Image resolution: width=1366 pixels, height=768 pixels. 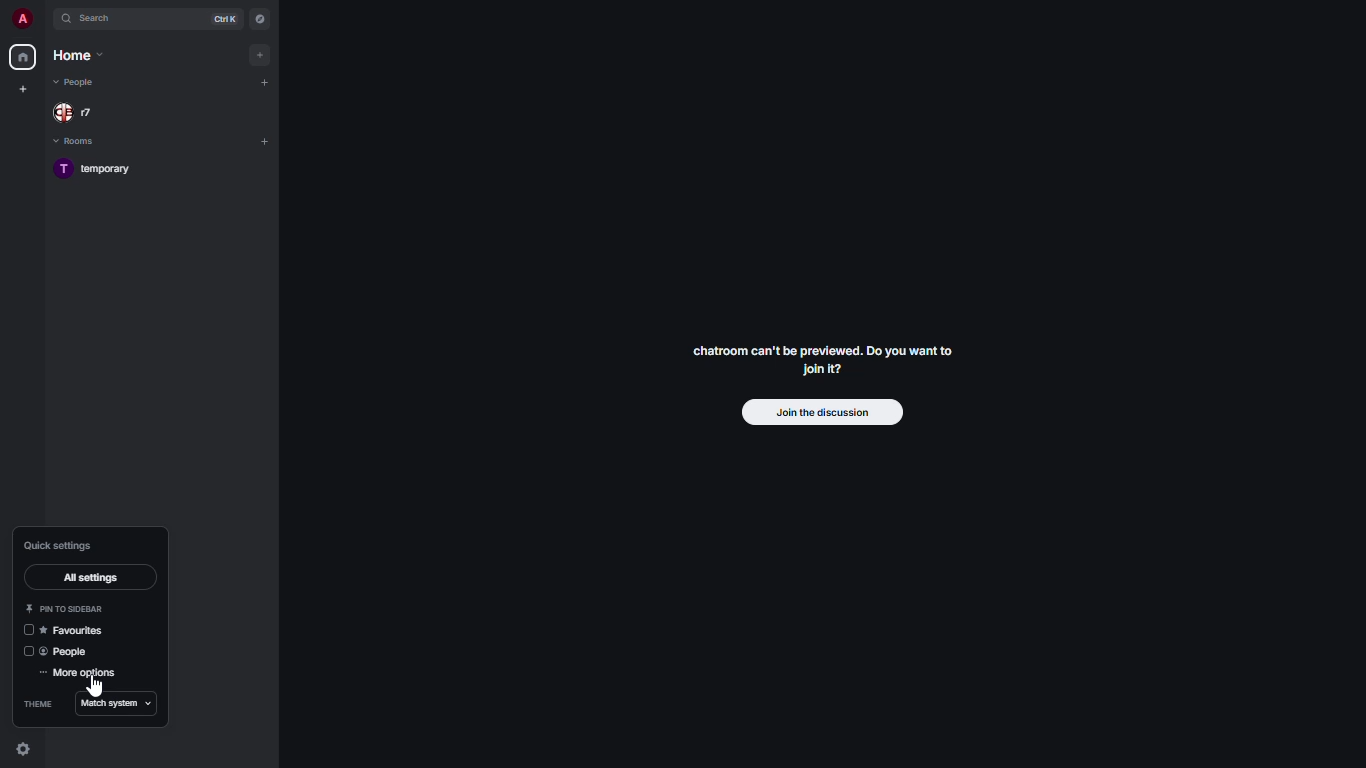 What do you see at coordinates (22, 88) in the screenshot?
I see `create new space` at bounding box center [22, 88].